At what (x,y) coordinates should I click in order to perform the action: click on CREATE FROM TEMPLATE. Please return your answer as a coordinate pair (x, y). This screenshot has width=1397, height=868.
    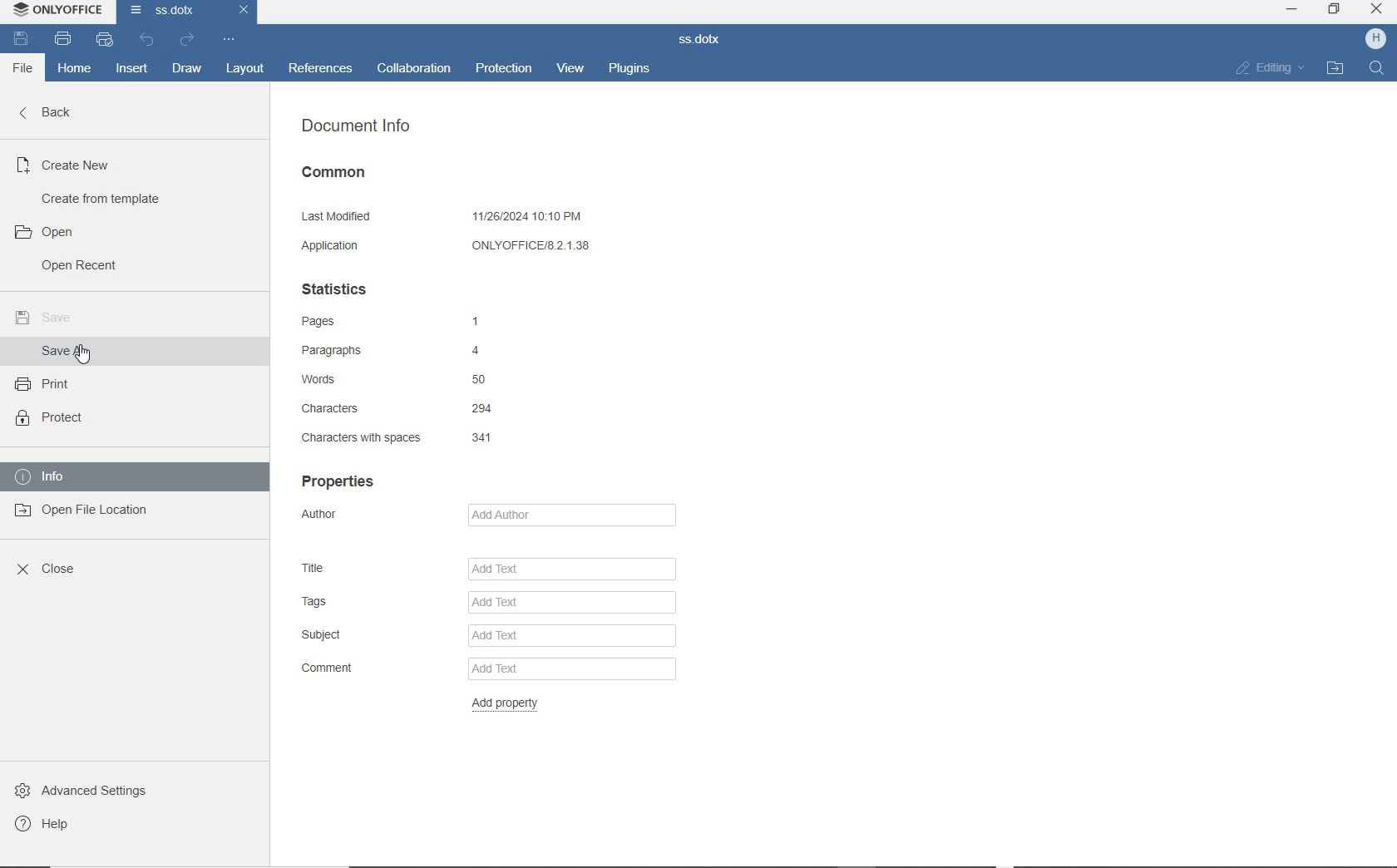
    Looking at the image, I should click on (104, 200).